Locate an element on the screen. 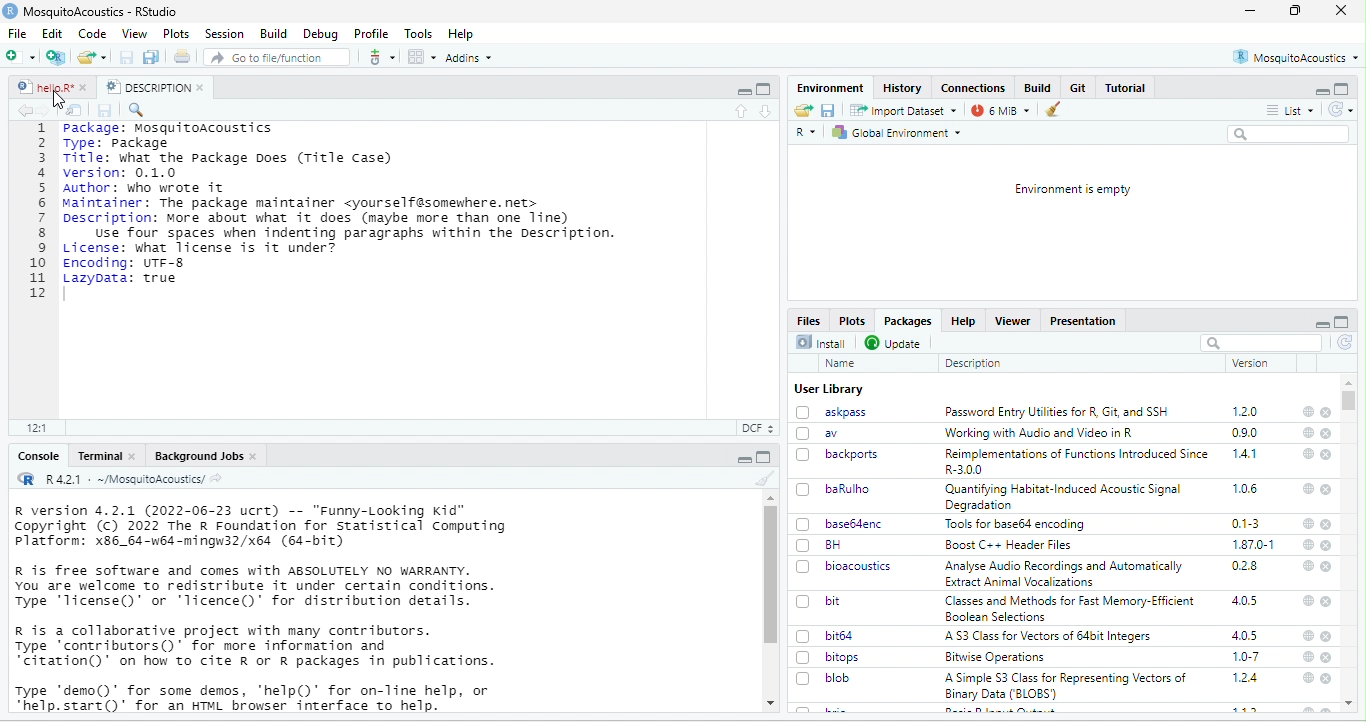 The width and height of the screenshot is (1366, 722). Build is located at coordinates (1039, 87).